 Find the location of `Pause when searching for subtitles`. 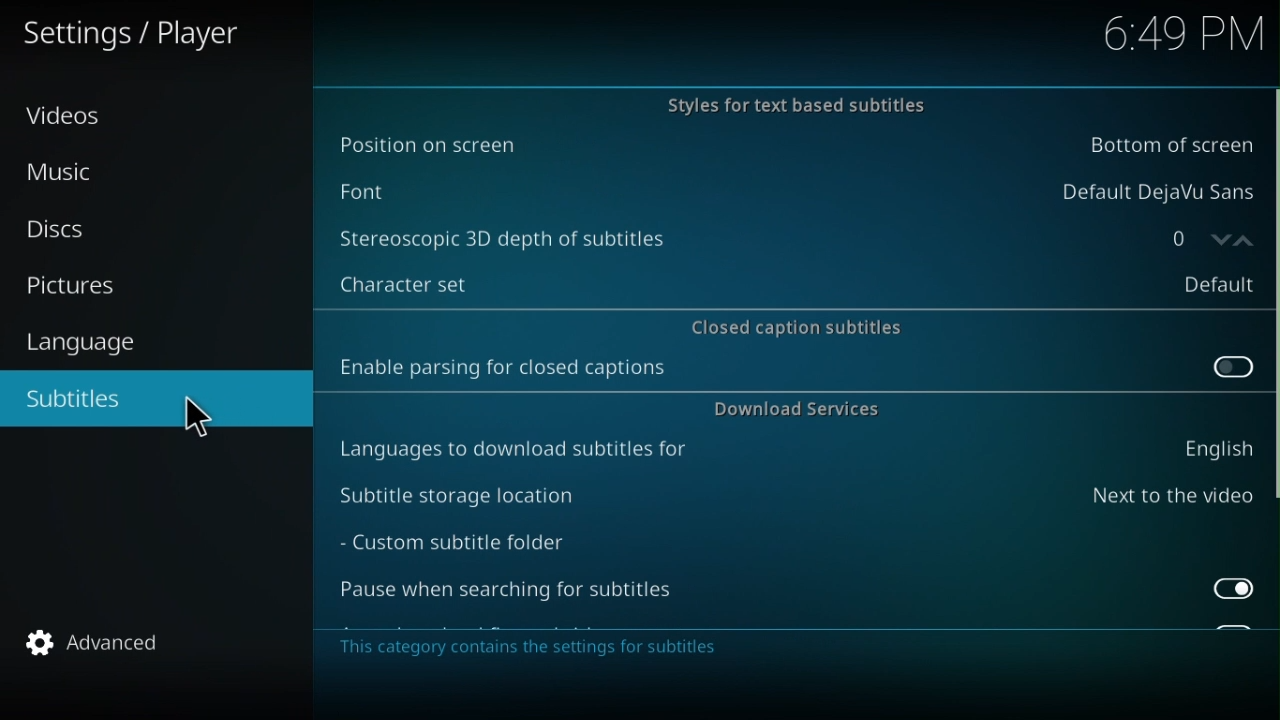

Pause when searching for subtitles is located at coordinates (799, 594).